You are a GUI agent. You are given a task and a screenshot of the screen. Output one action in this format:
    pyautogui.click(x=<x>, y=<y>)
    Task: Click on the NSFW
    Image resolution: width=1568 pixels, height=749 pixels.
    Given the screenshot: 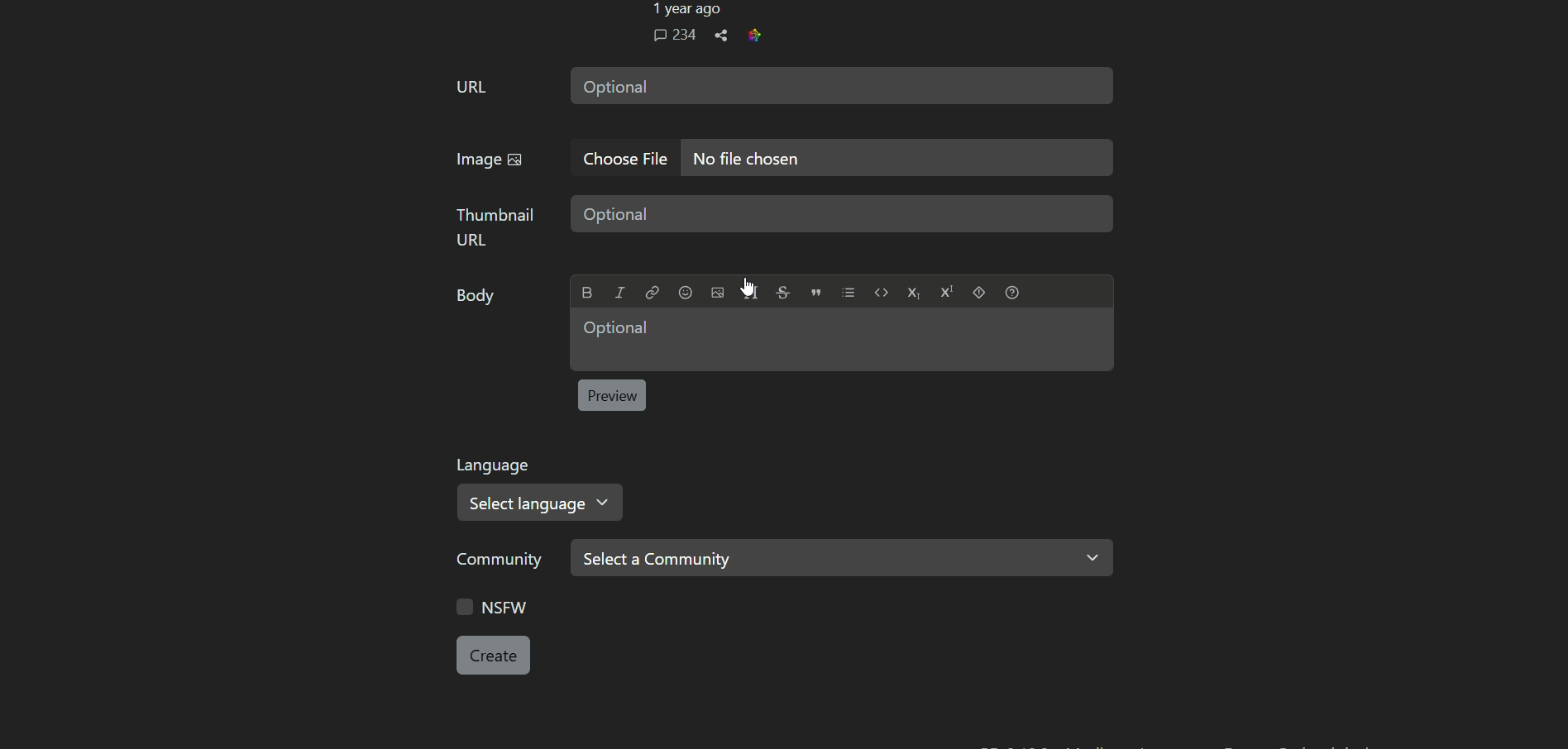 What is the action you would take?
    pyautogui.click(x=494, y=606)
    